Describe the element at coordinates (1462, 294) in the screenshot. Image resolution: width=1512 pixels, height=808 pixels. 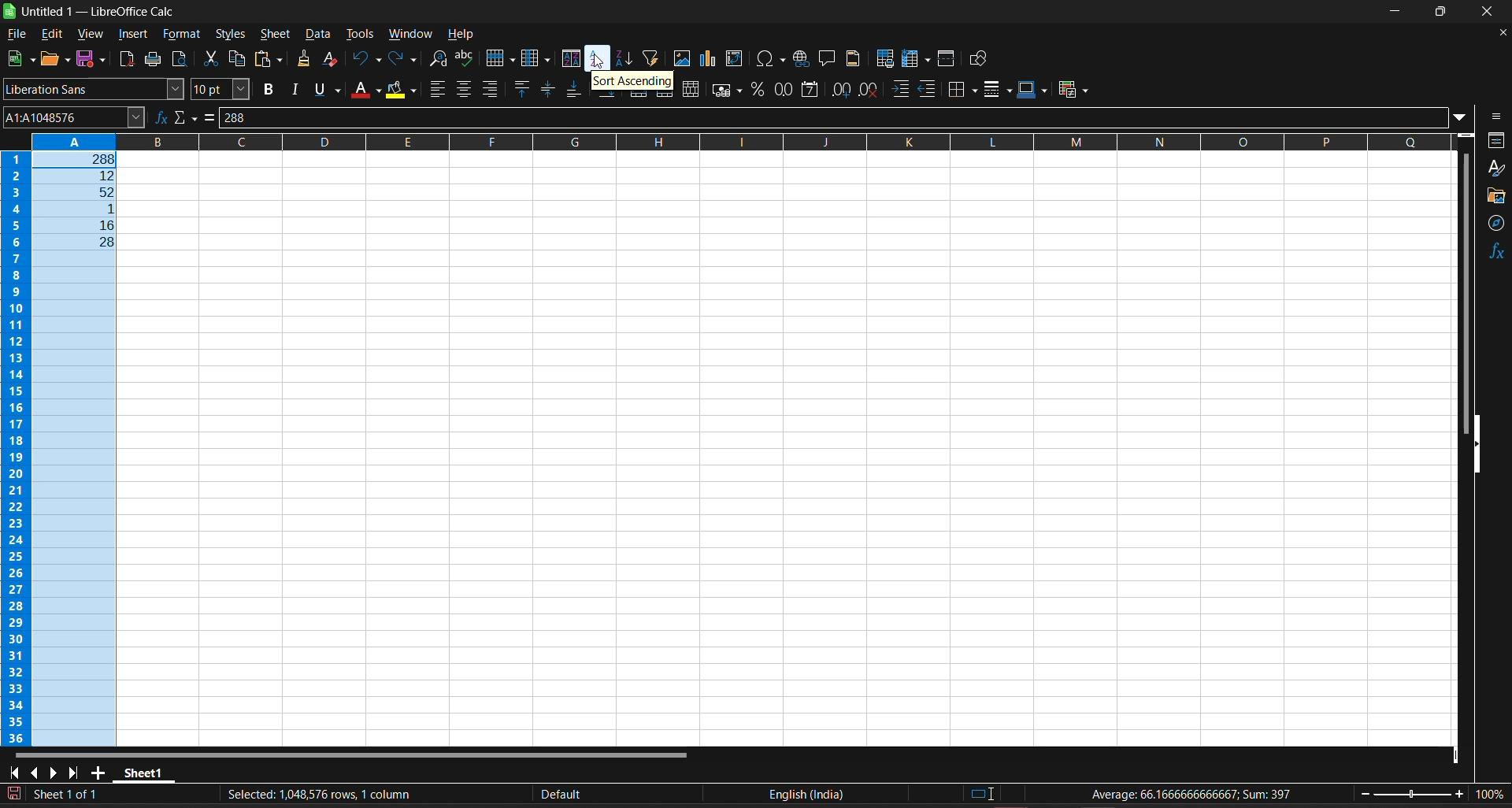
I see `vertical scroll bar` at that location.